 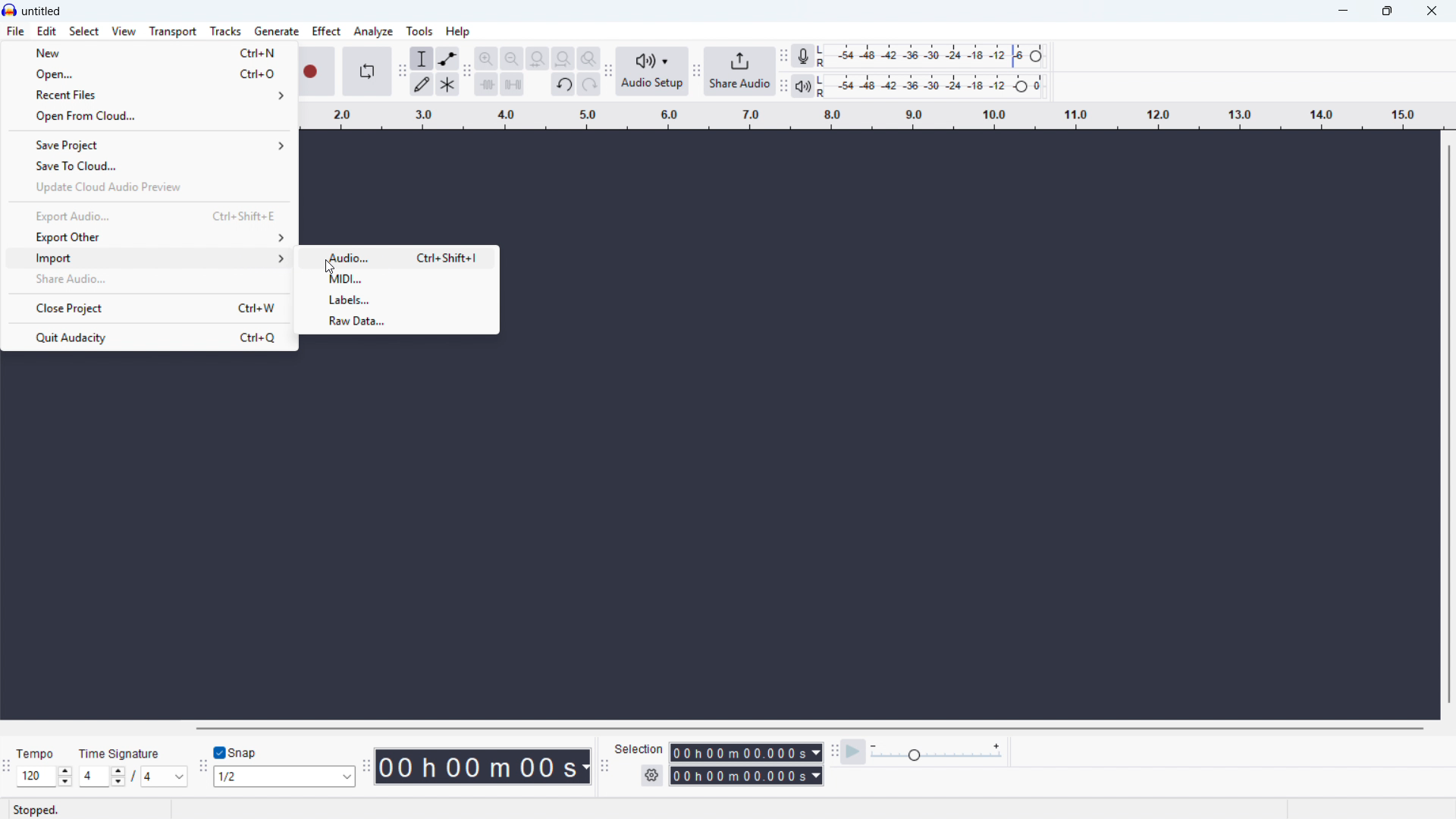 I want to click on minimise, so click(x=1345, y=11).